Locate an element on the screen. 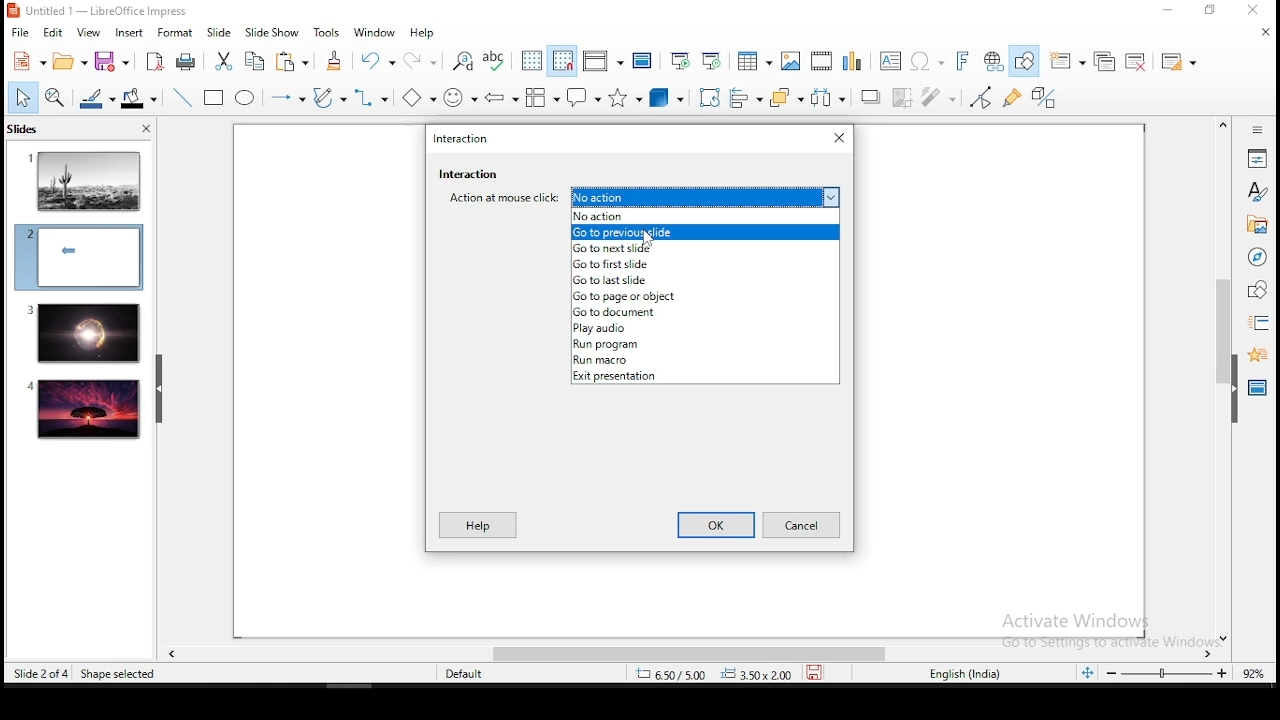  line is located at coordinates (180, 98).